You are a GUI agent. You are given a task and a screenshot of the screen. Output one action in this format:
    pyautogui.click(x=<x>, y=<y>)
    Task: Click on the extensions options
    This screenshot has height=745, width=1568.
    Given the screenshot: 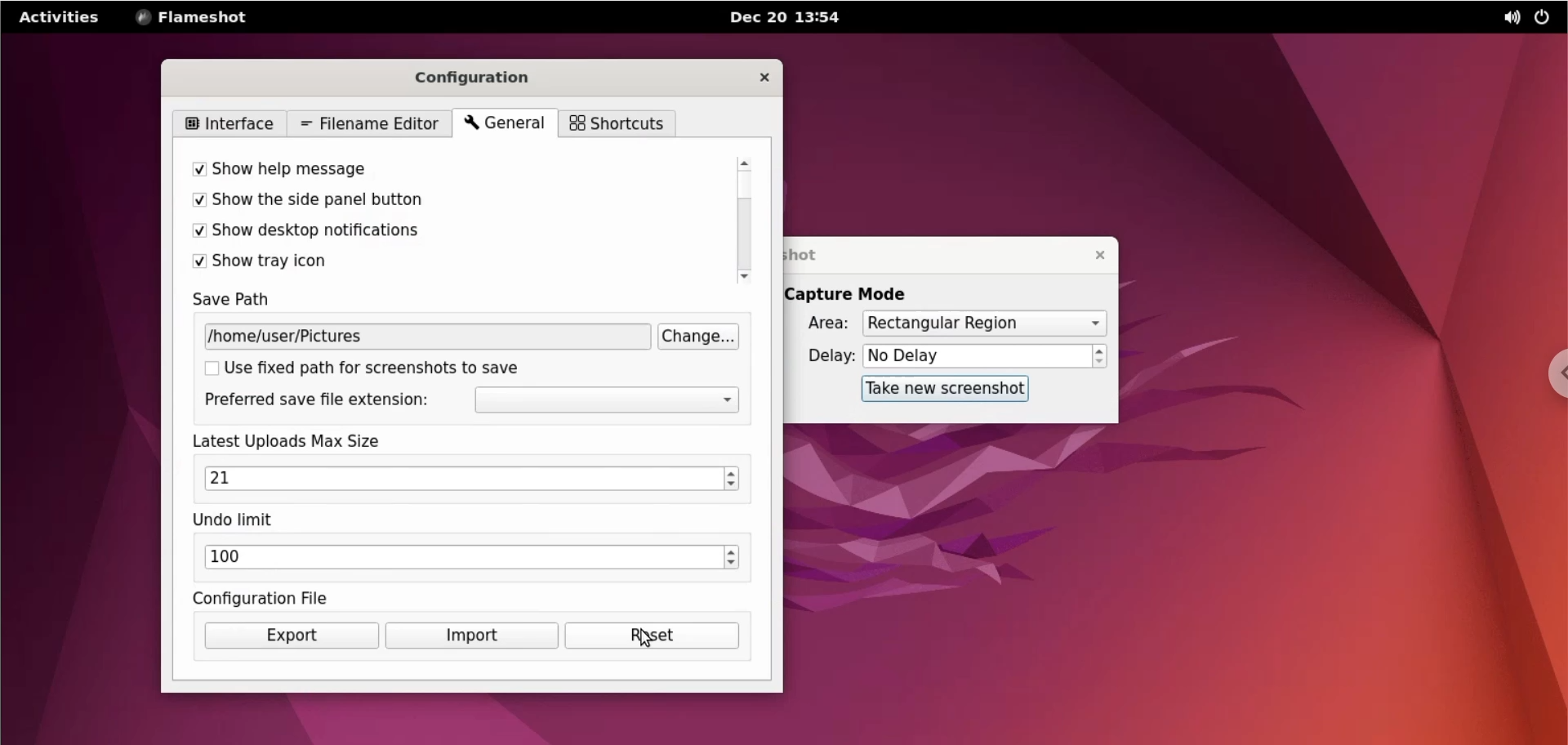 What is the action you would take?
    pyautogui.click(x=607, y=401)
    